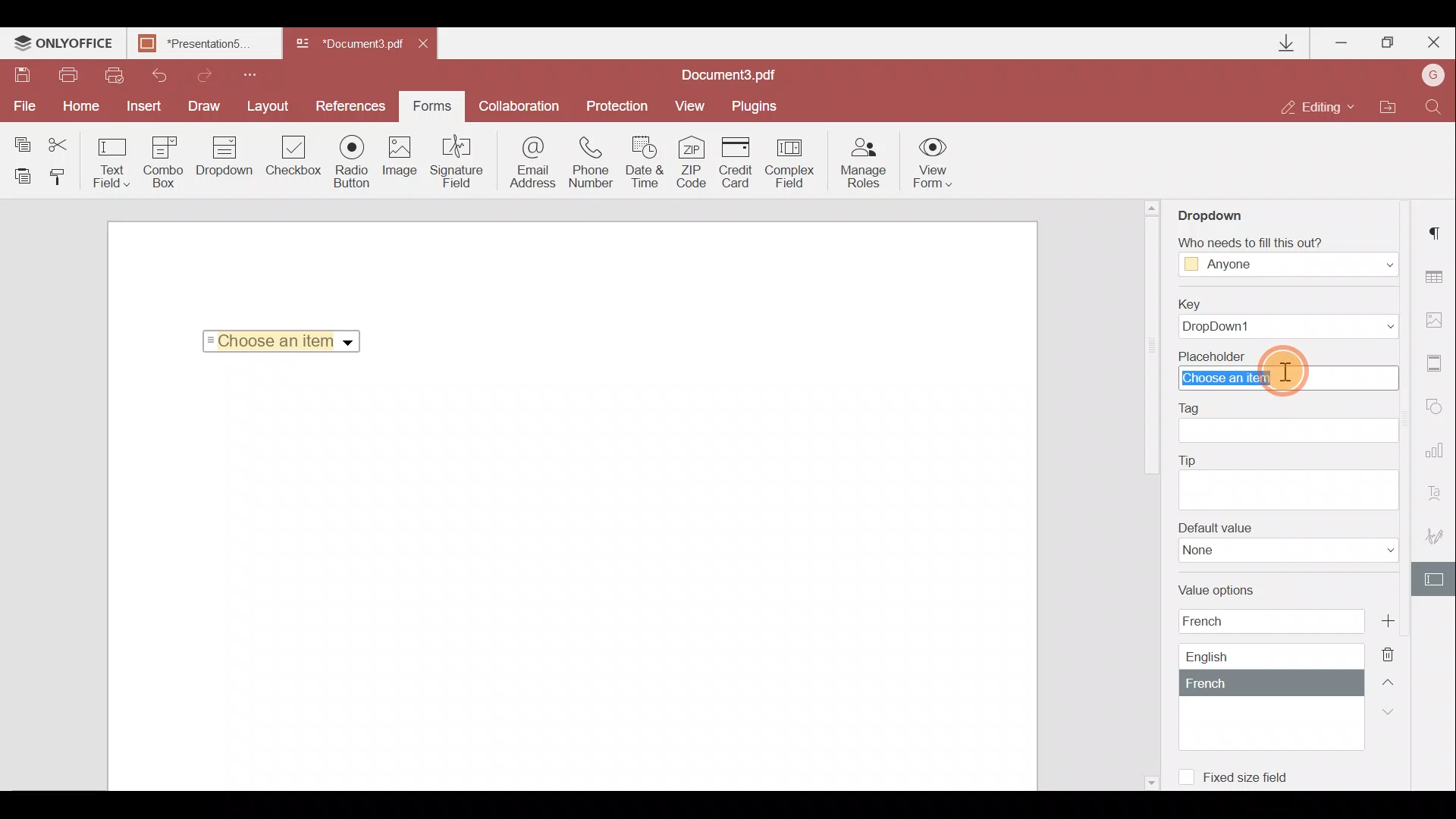 This screenshot has width=1456, height=819. What do you see at coordinates (269, 104) in the screenshot?
I see `Layout` at bounding box center [269, 104].